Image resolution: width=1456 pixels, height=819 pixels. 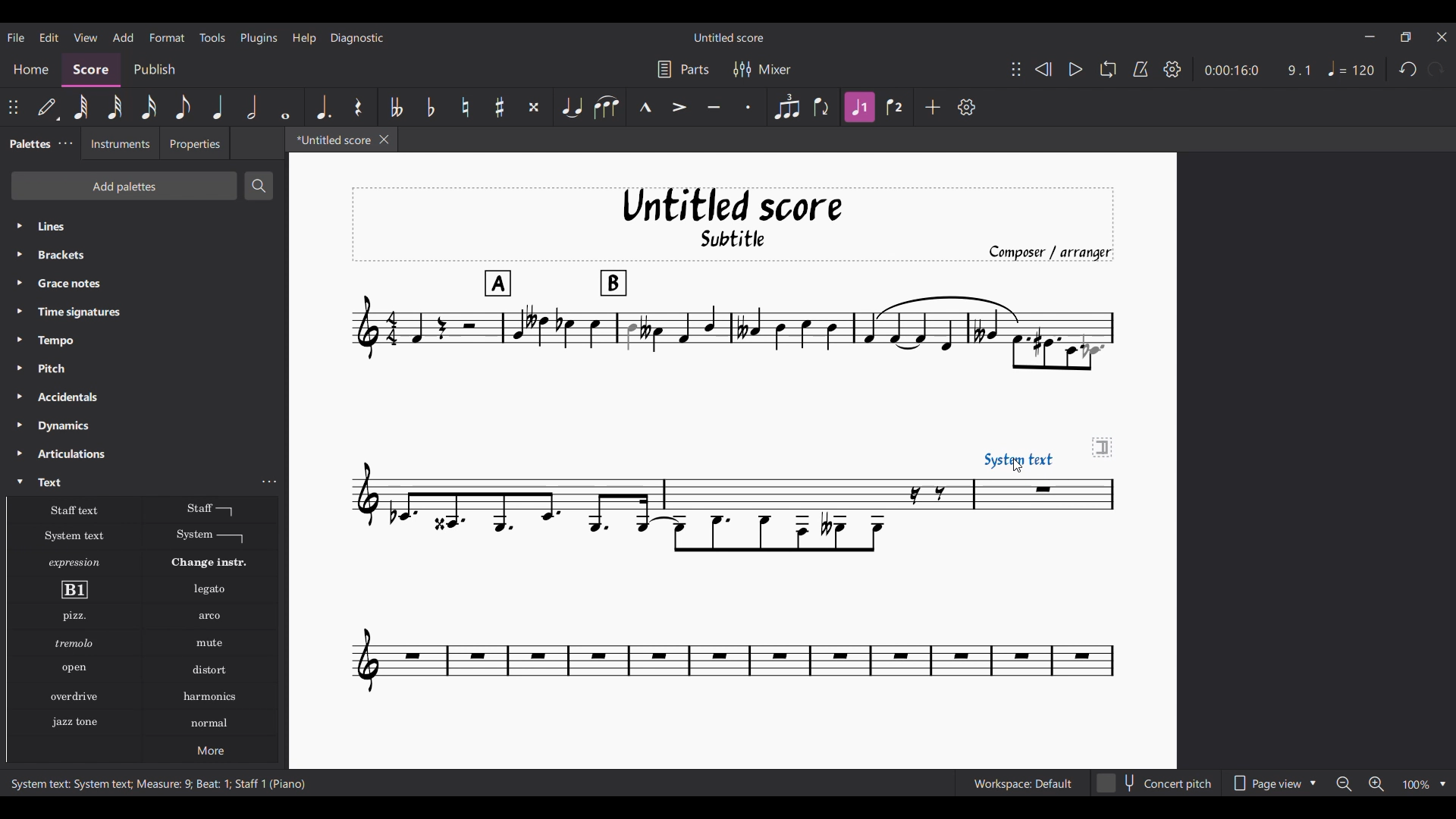 I want to click on Page view options, so click(x=1272, y=783).